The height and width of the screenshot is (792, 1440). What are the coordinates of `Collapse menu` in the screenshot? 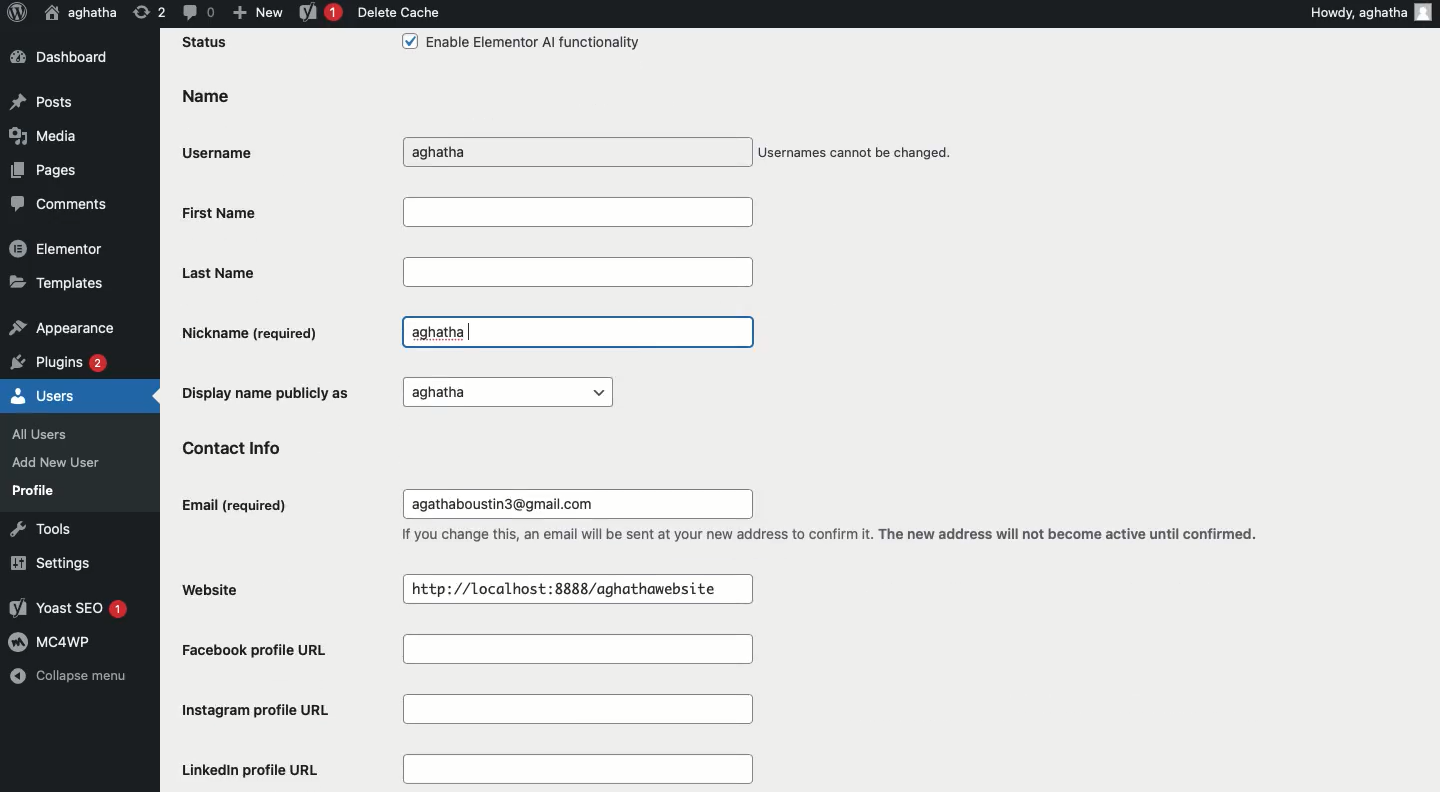 It's located at (68, 678).